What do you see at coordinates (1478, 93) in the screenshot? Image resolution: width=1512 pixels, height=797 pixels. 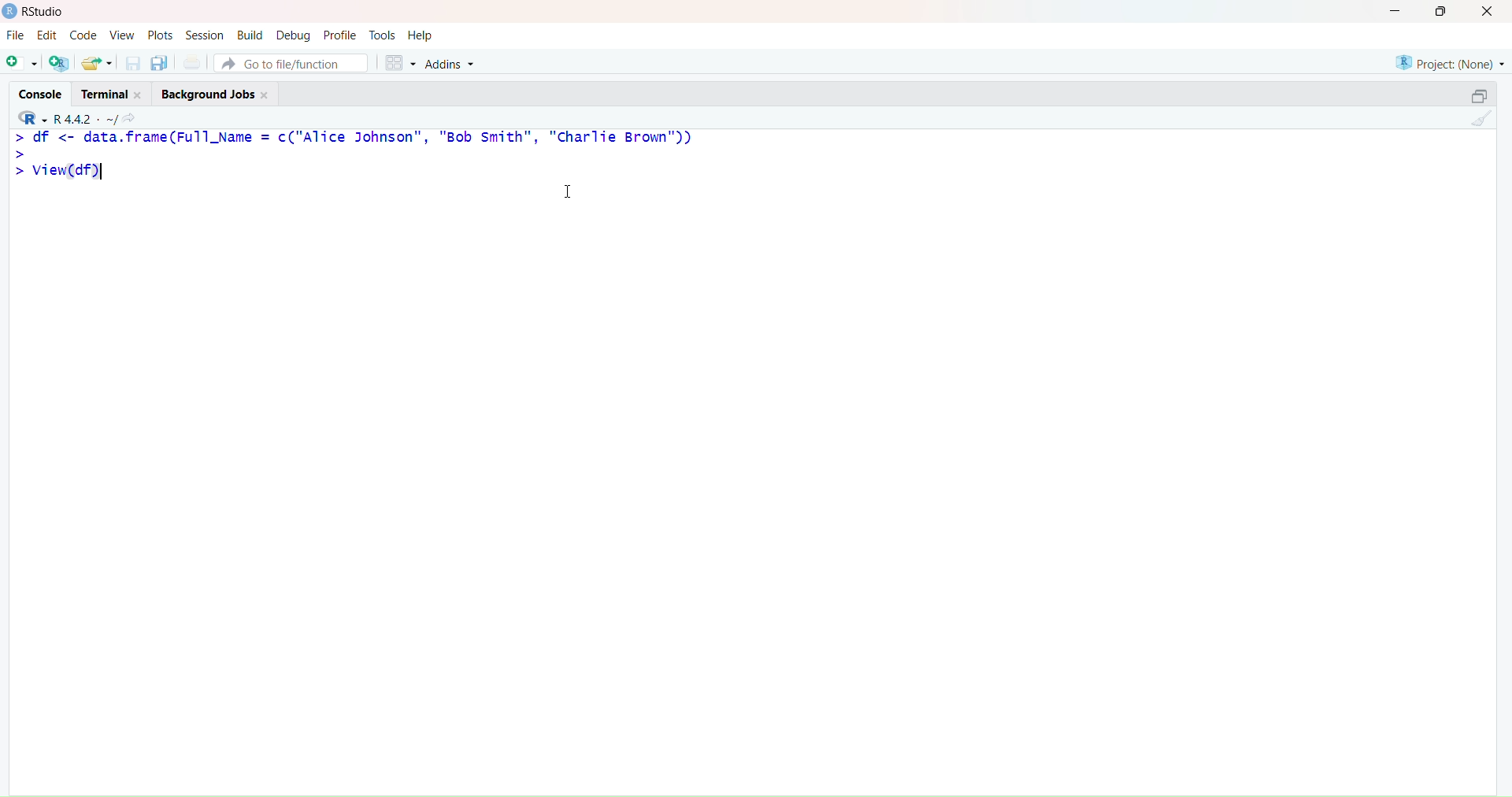 I see `Maximize` at bounding box center [1478, 93].